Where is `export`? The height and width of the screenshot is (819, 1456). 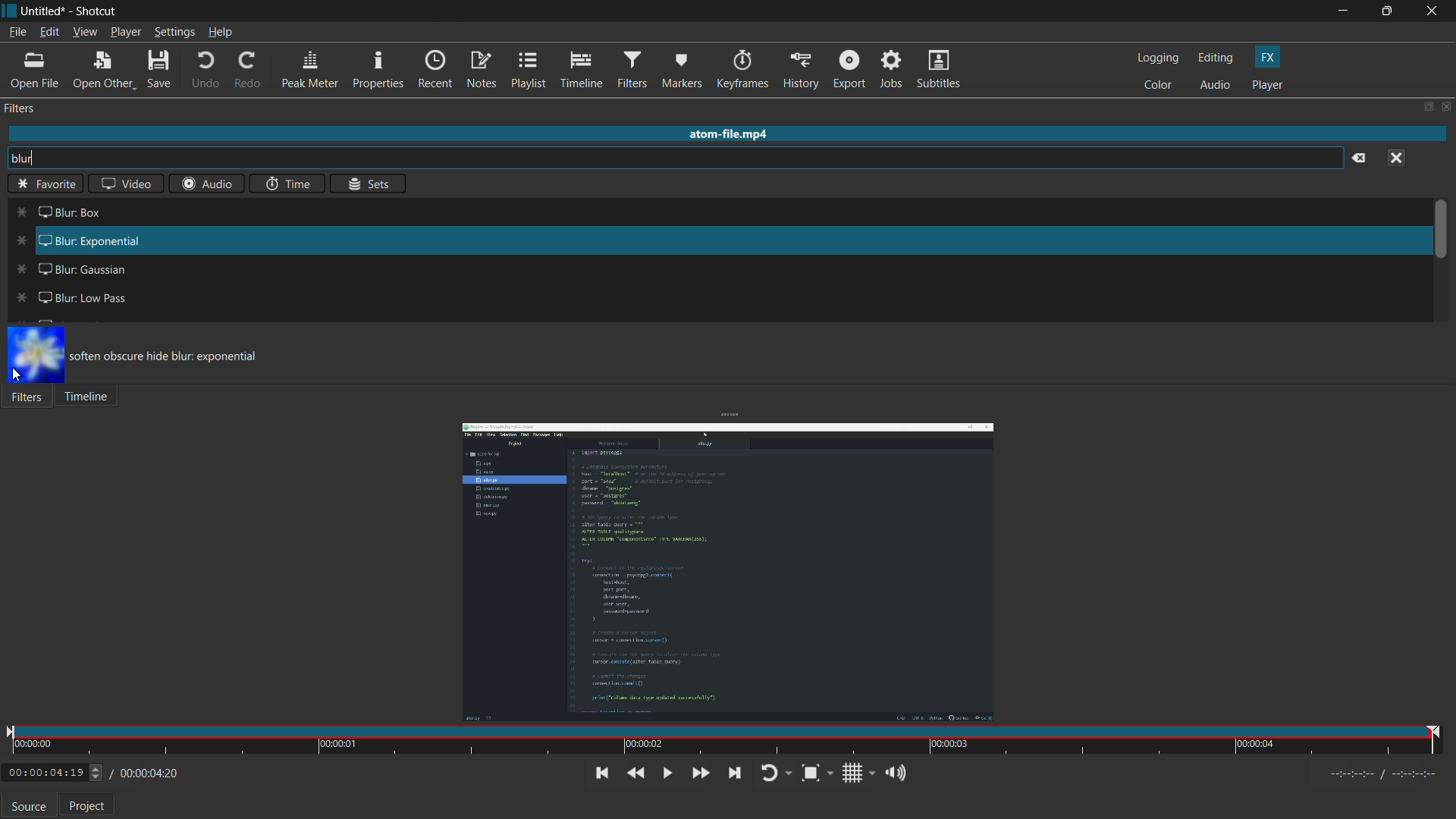 export is located at coordinates (847, 71).